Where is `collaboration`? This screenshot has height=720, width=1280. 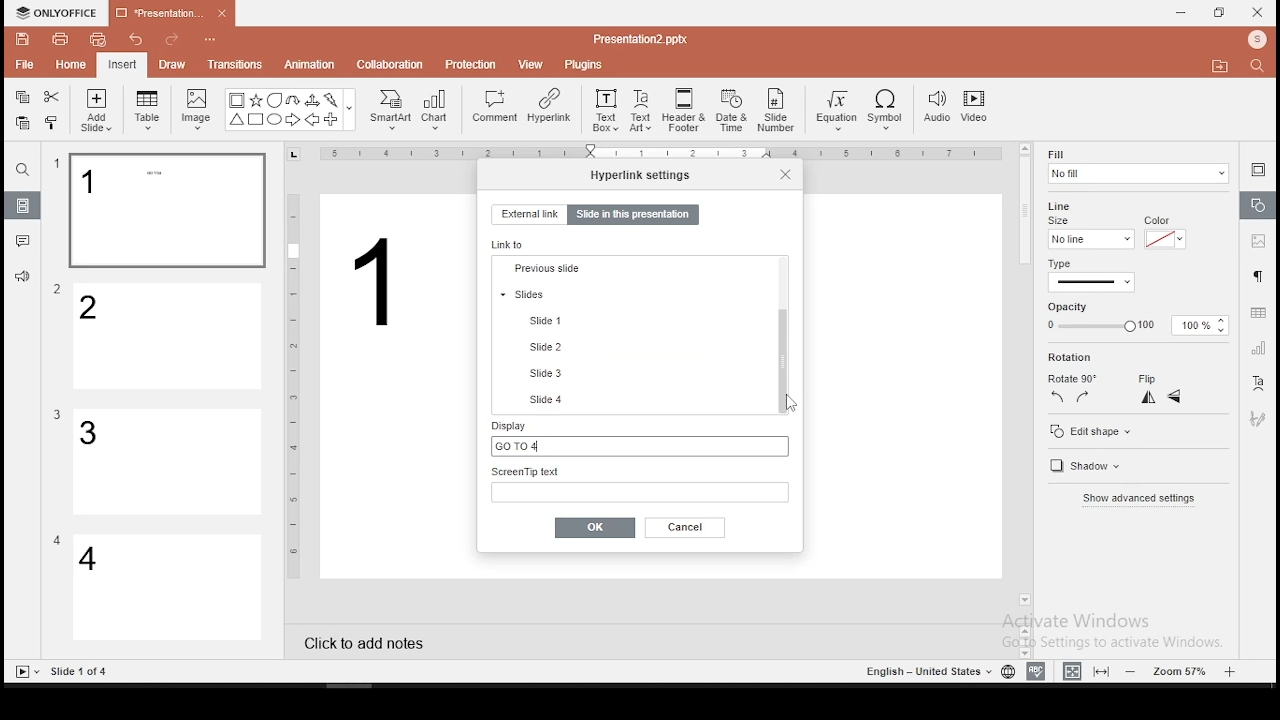
collaboration is located at coordinates (392, 63).